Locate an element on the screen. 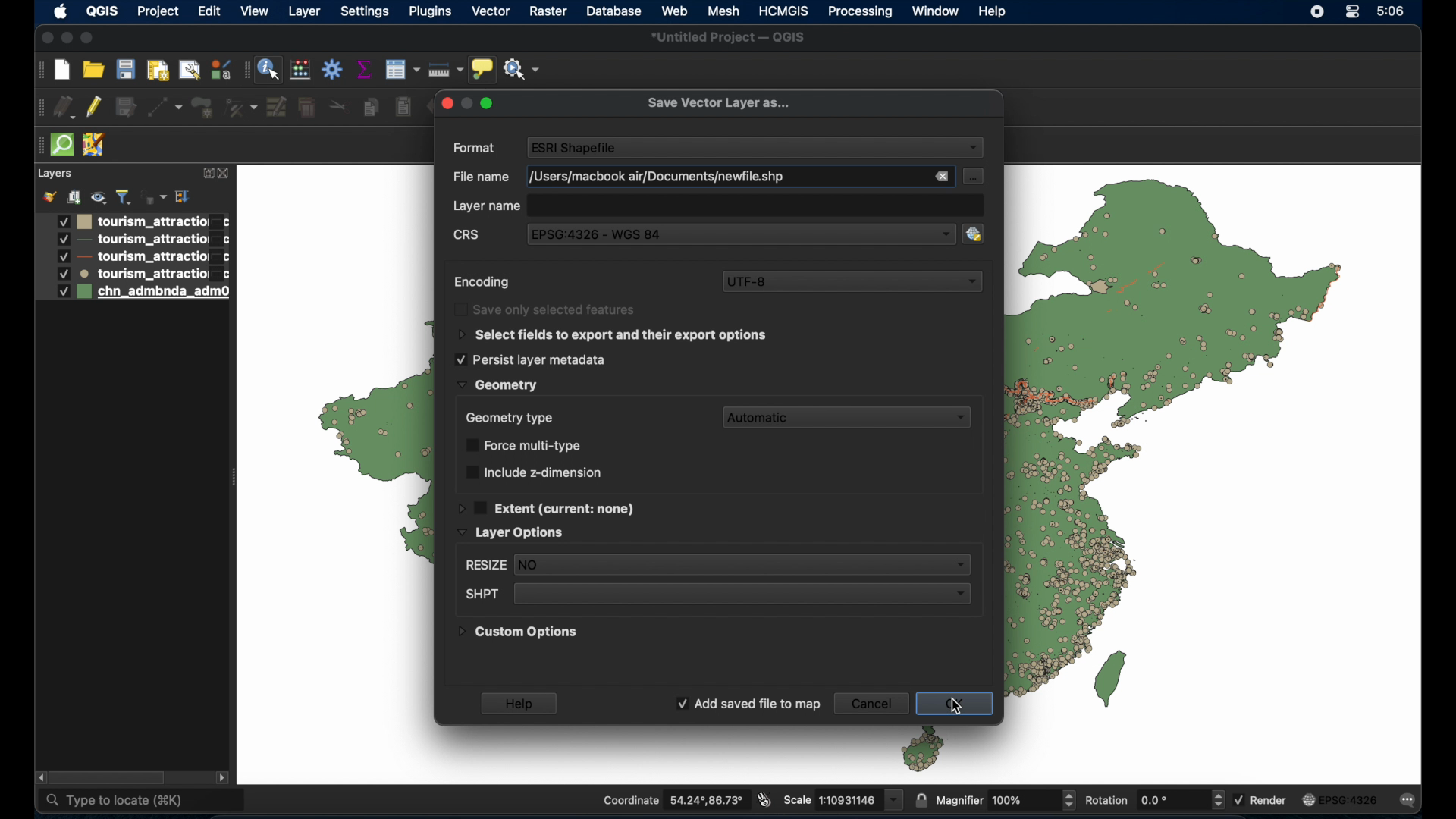 This screenshot has height=819, width=1456. force multi-type is located at coordinates (527, 445).